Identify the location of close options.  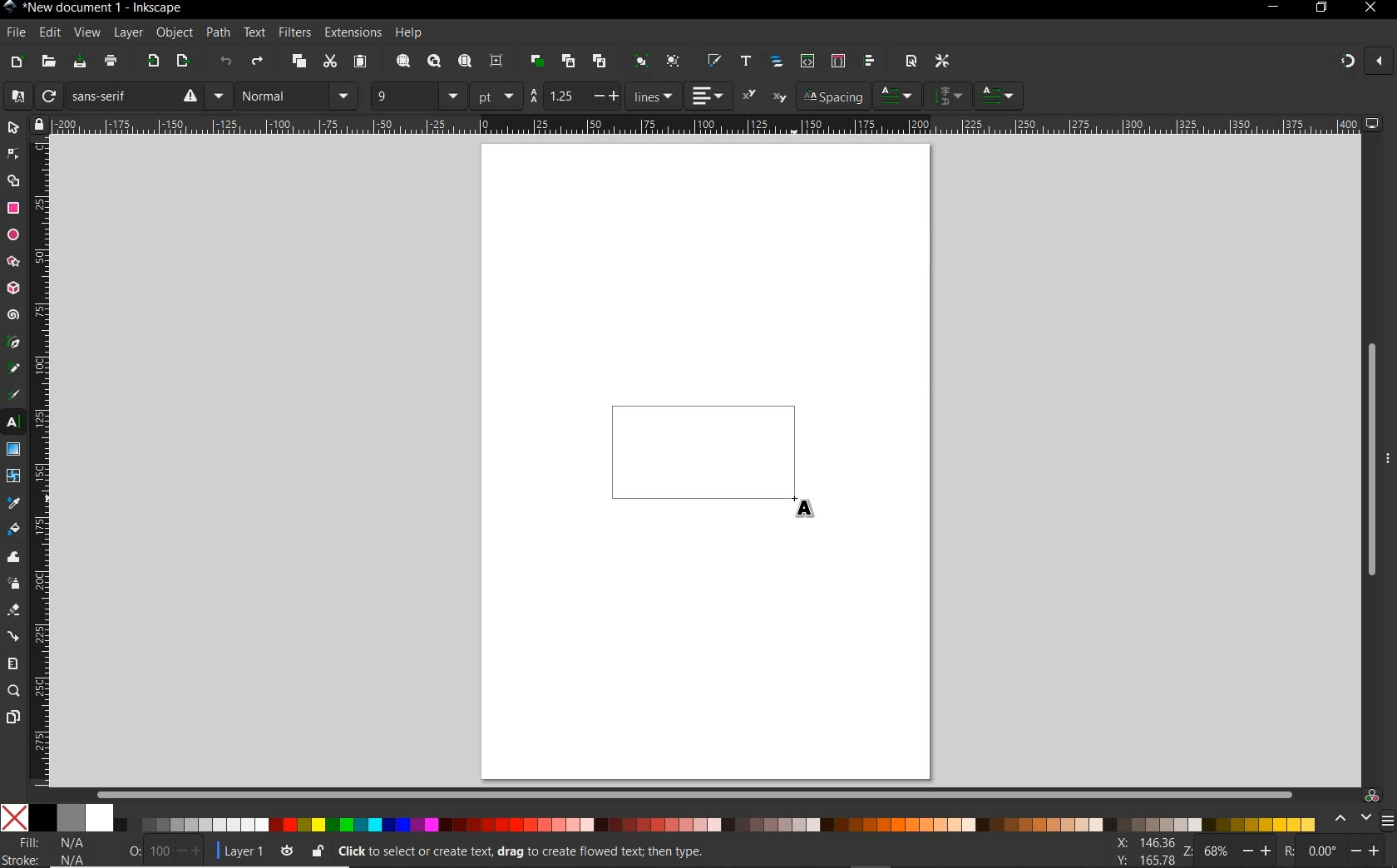
(1379, 62).